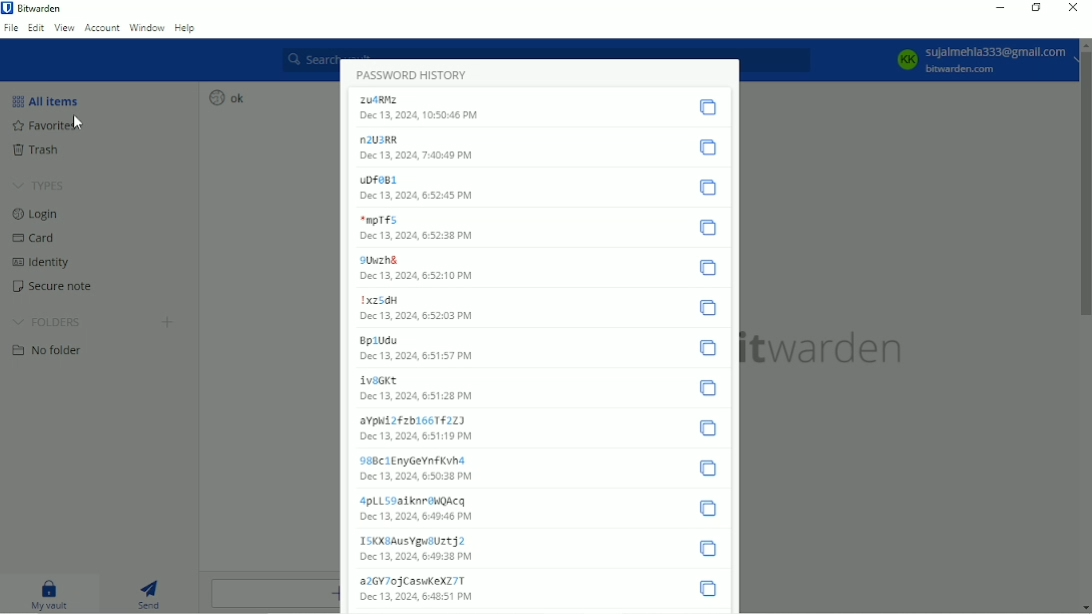 This screenshot has width=1092, height=614. What do you see at coordinates (417, 477) in the screenshot?
I see `Dec 13, 2024, 6:50:38 PM` at bounding box center [417, 477].